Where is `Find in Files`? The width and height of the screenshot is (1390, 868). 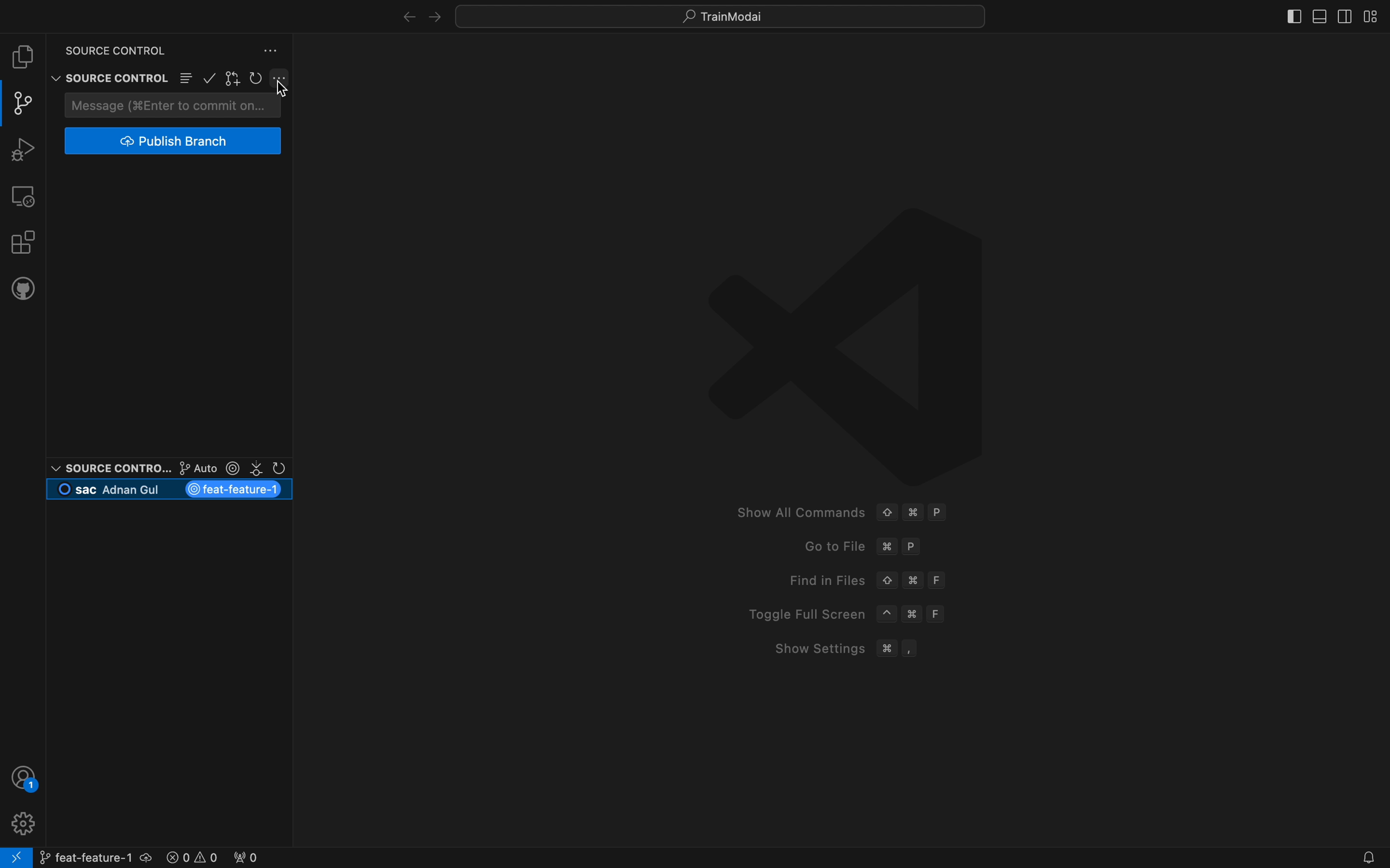
Find in Files is located at coordinates (817, 580).